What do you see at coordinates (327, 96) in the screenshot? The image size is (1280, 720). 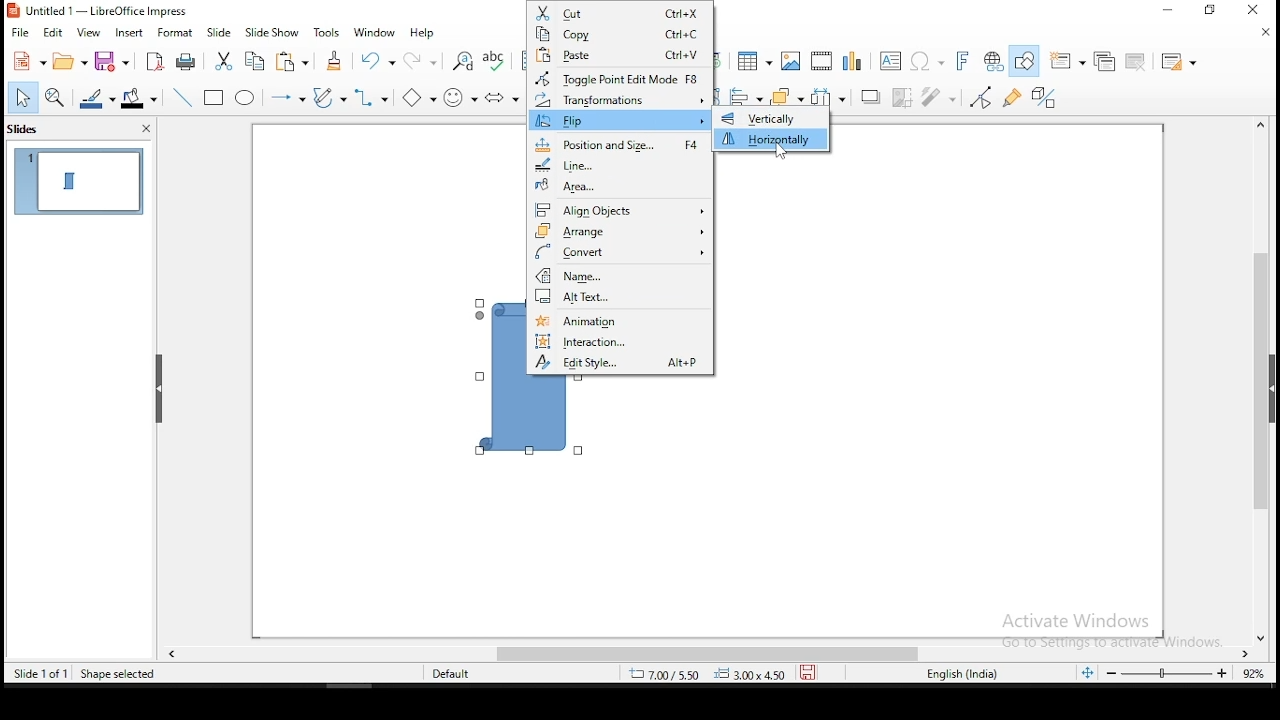 I see `curves and polygons` at bounding box center [327, 96].